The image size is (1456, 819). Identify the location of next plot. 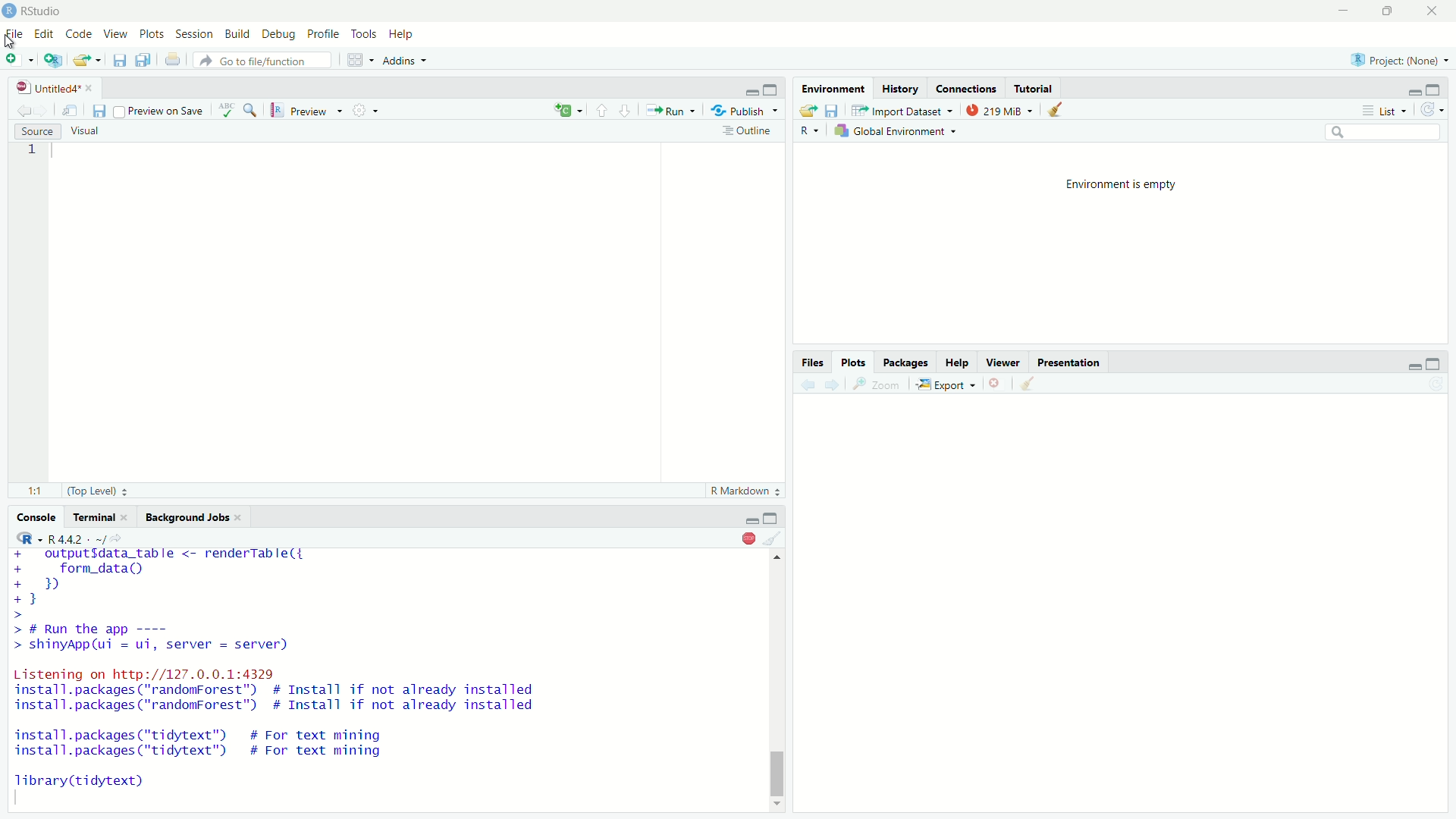
(835, 385).